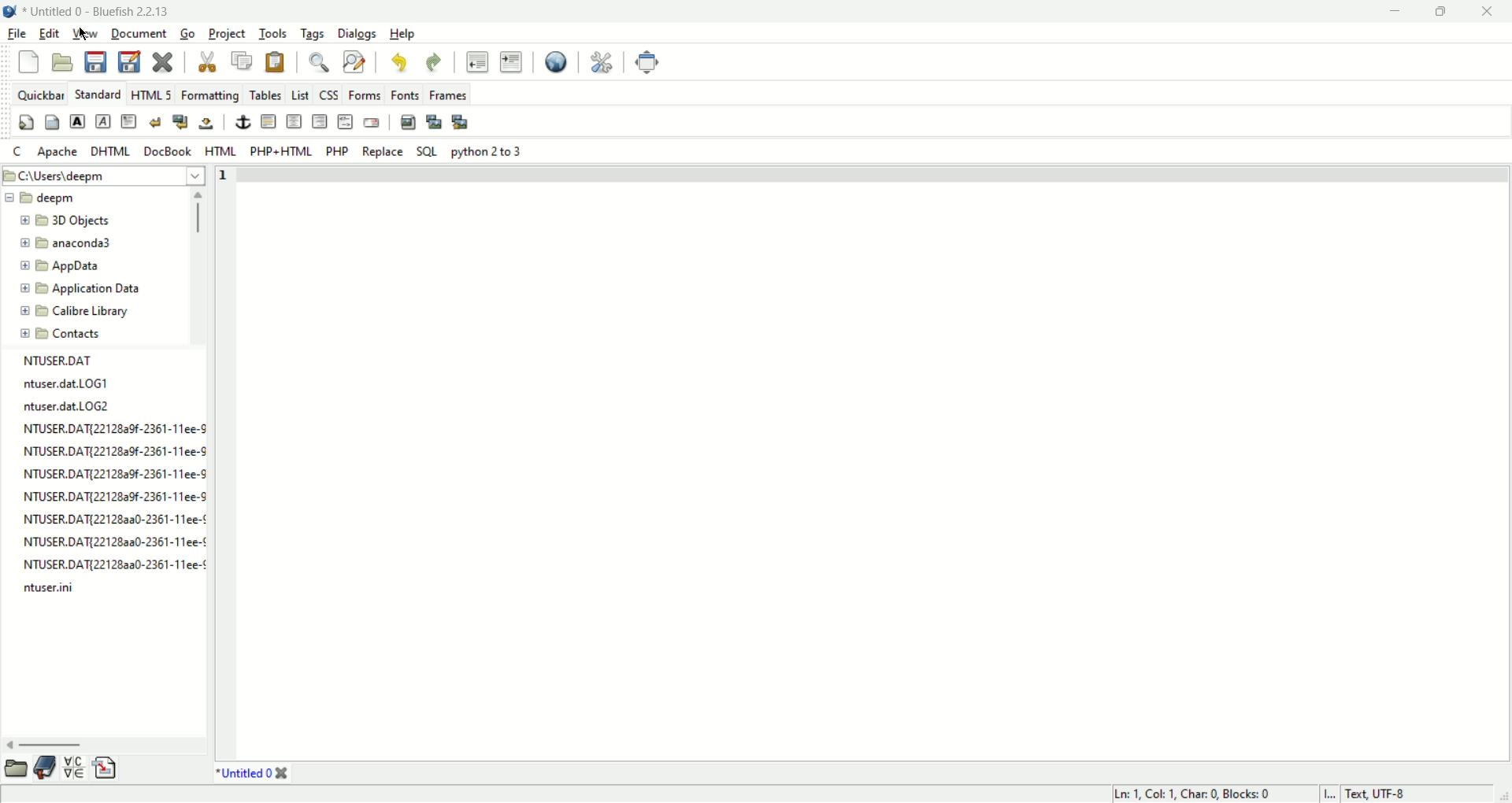 The image size is (1512, 803). Describe the element at coordinates (1491, 12) in the screenshot. I see `close` at that location.